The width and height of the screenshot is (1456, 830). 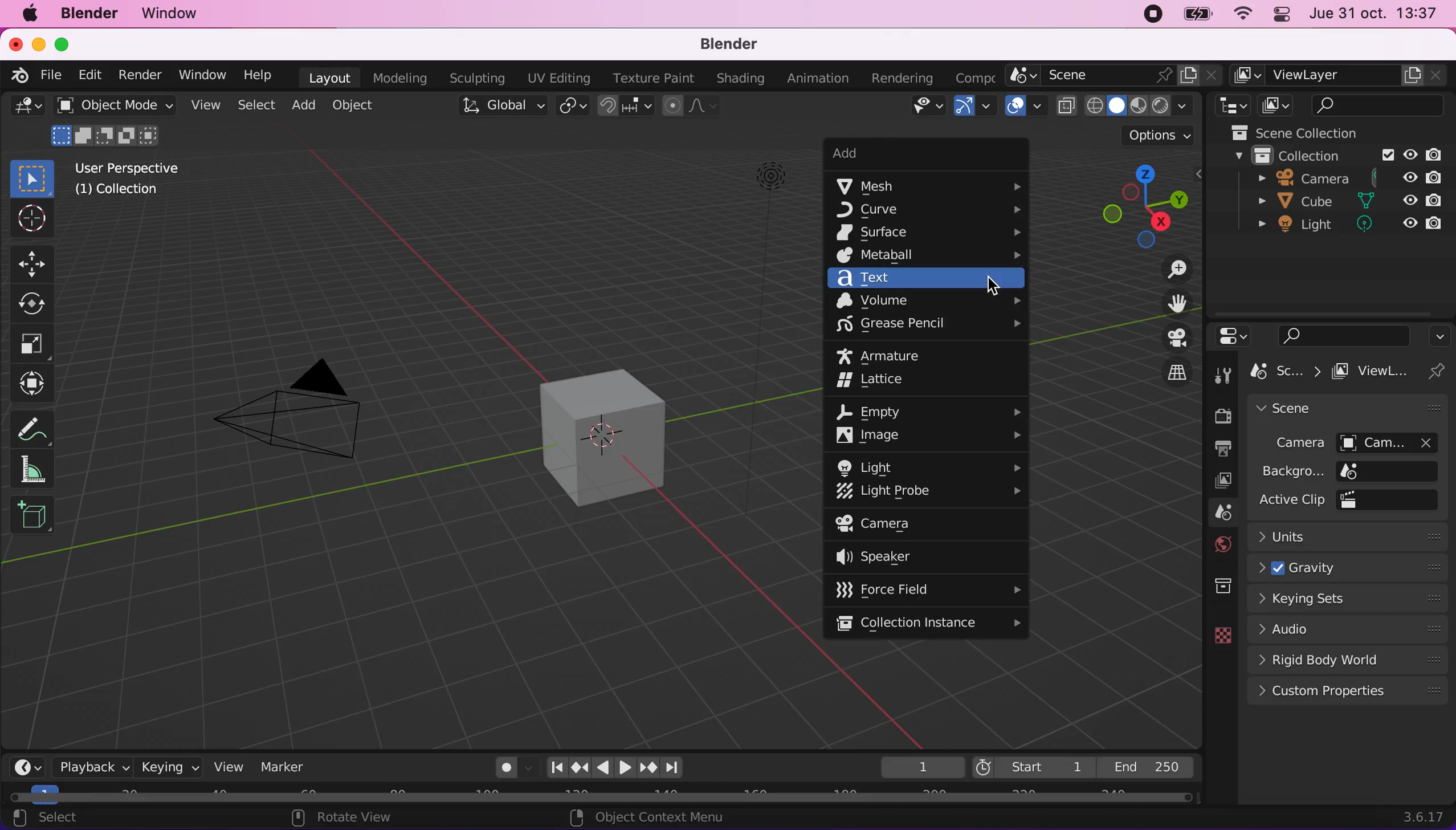 I want to click on move the view, so click(x=1168, y=302).